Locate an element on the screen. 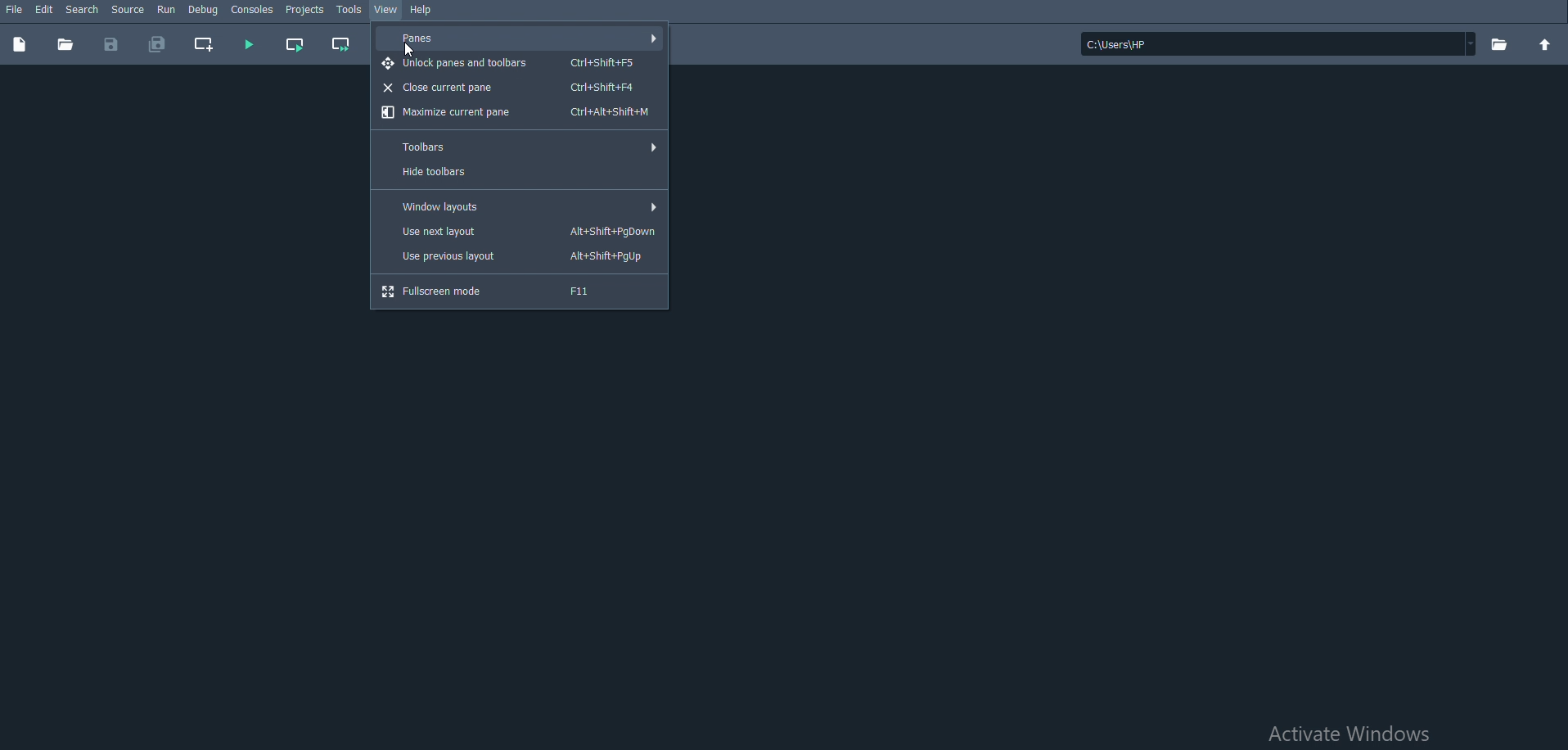  Tools is located at coordinates (349, 8).